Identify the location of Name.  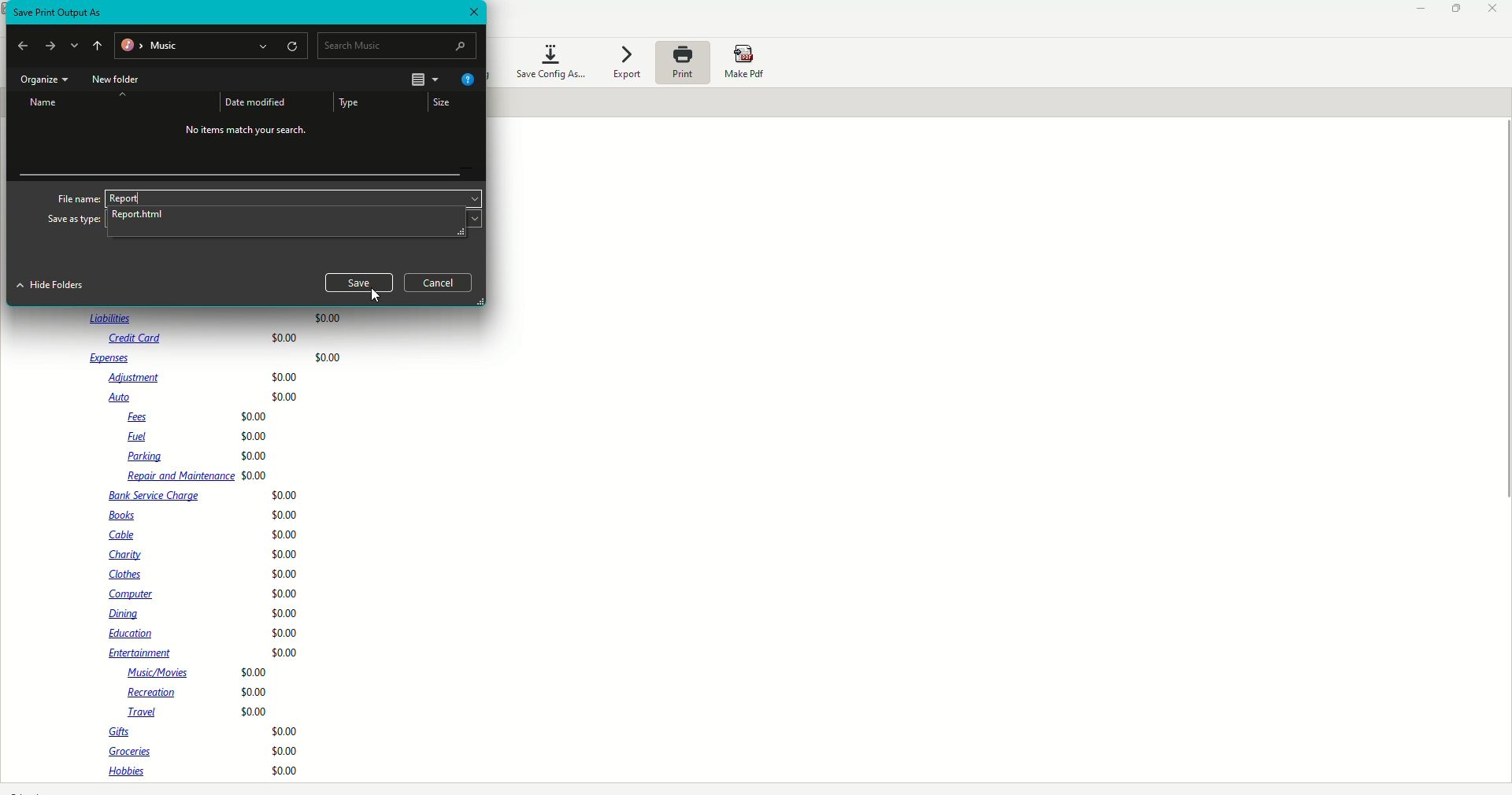
(45, 103).